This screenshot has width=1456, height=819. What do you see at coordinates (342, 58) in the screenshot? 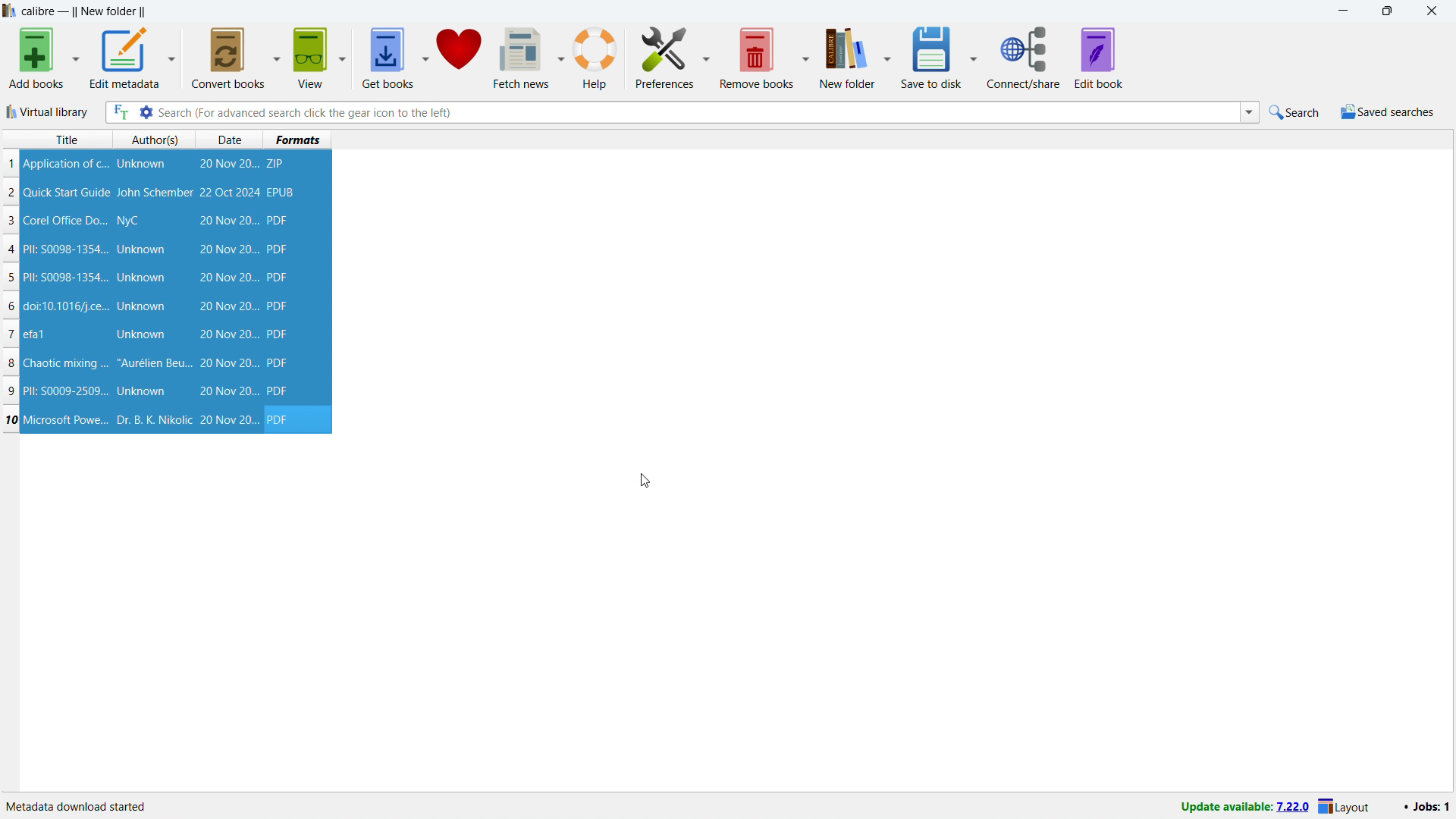
I see `view options` at bounding box center [342, 58].